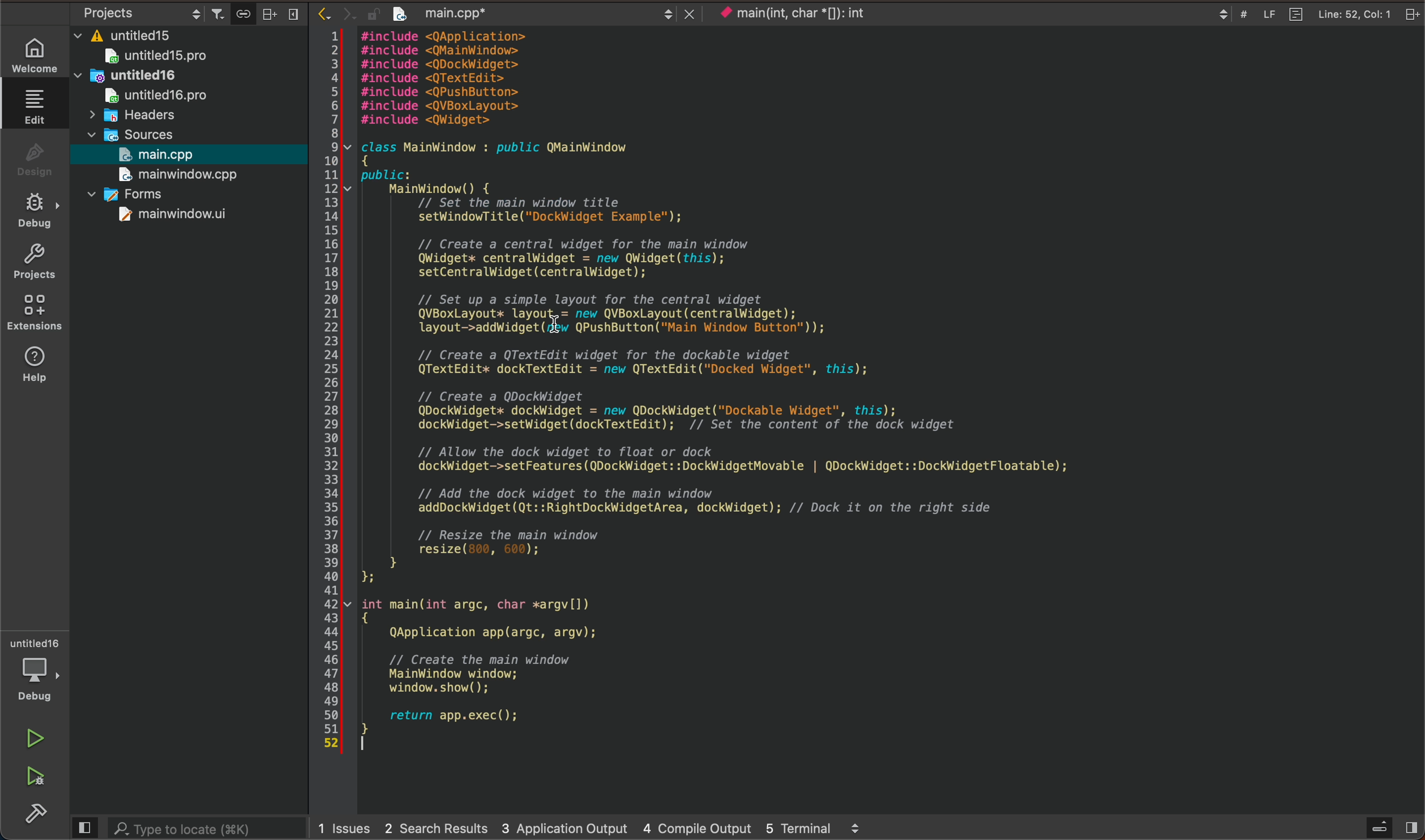  Describe the element at coordinates (604, 829) in the screenshot. I see `logs` at that location.